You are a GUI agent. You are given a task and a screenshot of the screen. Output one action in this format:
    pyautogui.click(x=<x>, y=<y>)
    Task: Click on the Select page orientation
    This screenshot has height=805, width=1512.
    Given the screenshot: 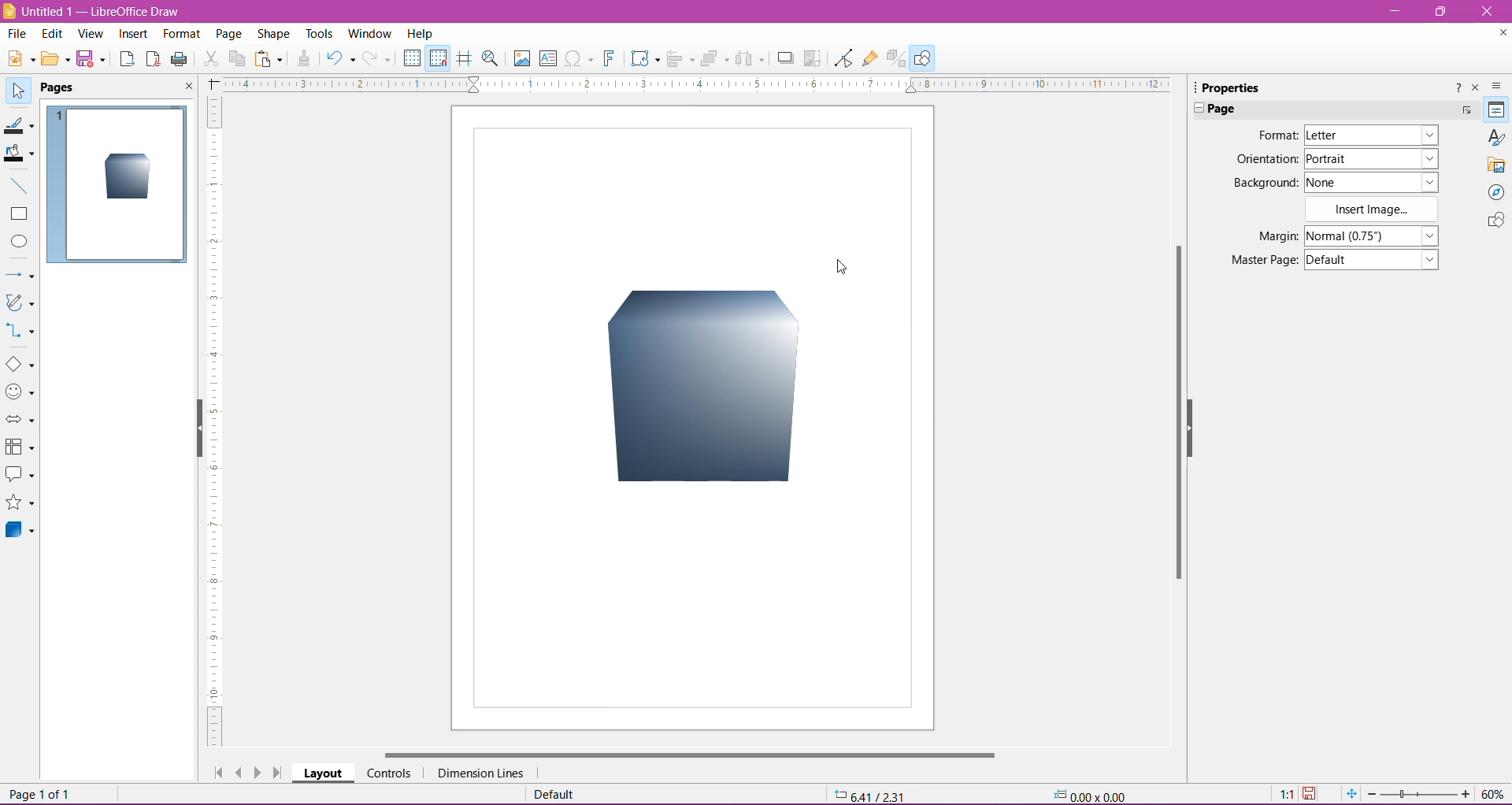 What is the action you would take?
    pyautogui.click(x=1374, y=158)
    